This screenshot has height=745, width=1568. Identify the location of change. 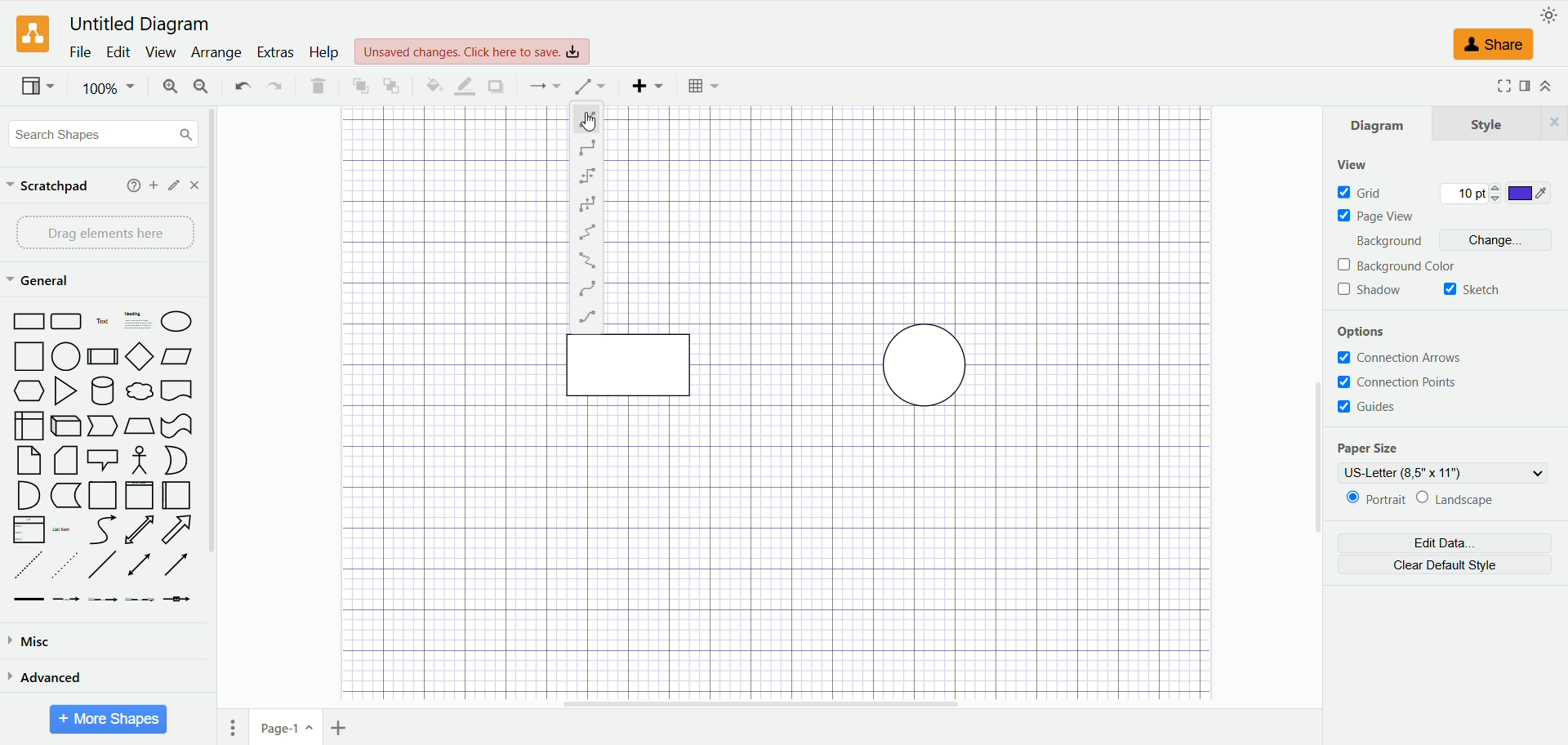
(1501, 239).